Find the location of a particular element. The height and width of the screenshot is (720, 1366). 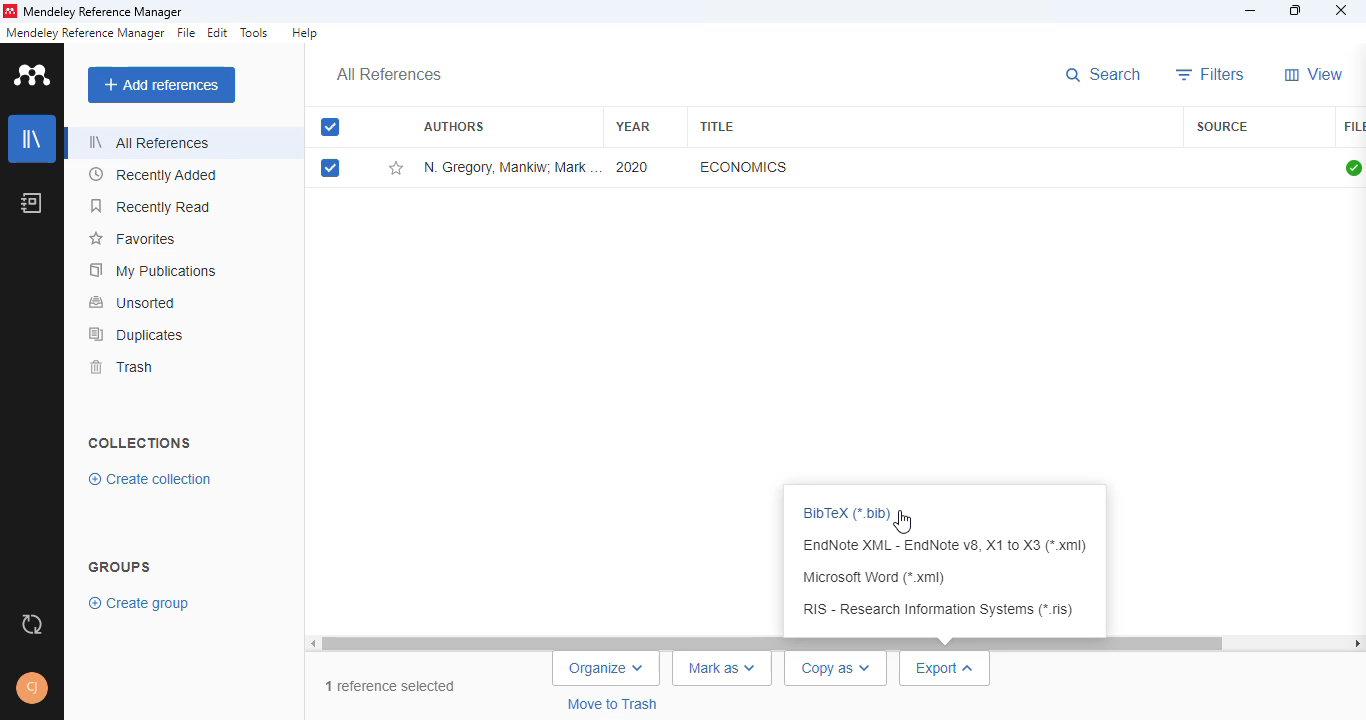

move to trash is located at coordinates (615, 704).